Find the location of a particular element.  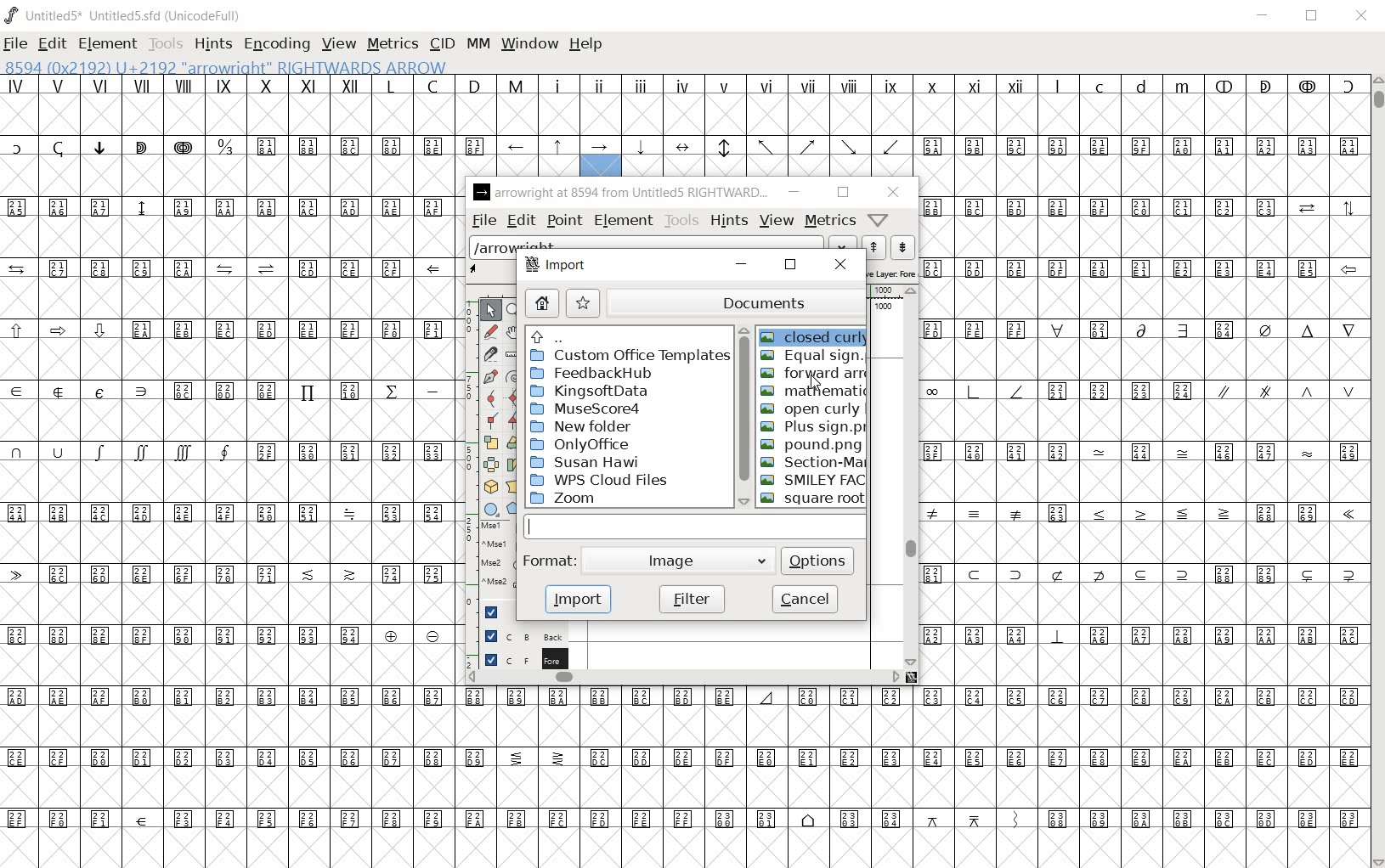

SMILEY FACE is located at coordinates (816, 480).